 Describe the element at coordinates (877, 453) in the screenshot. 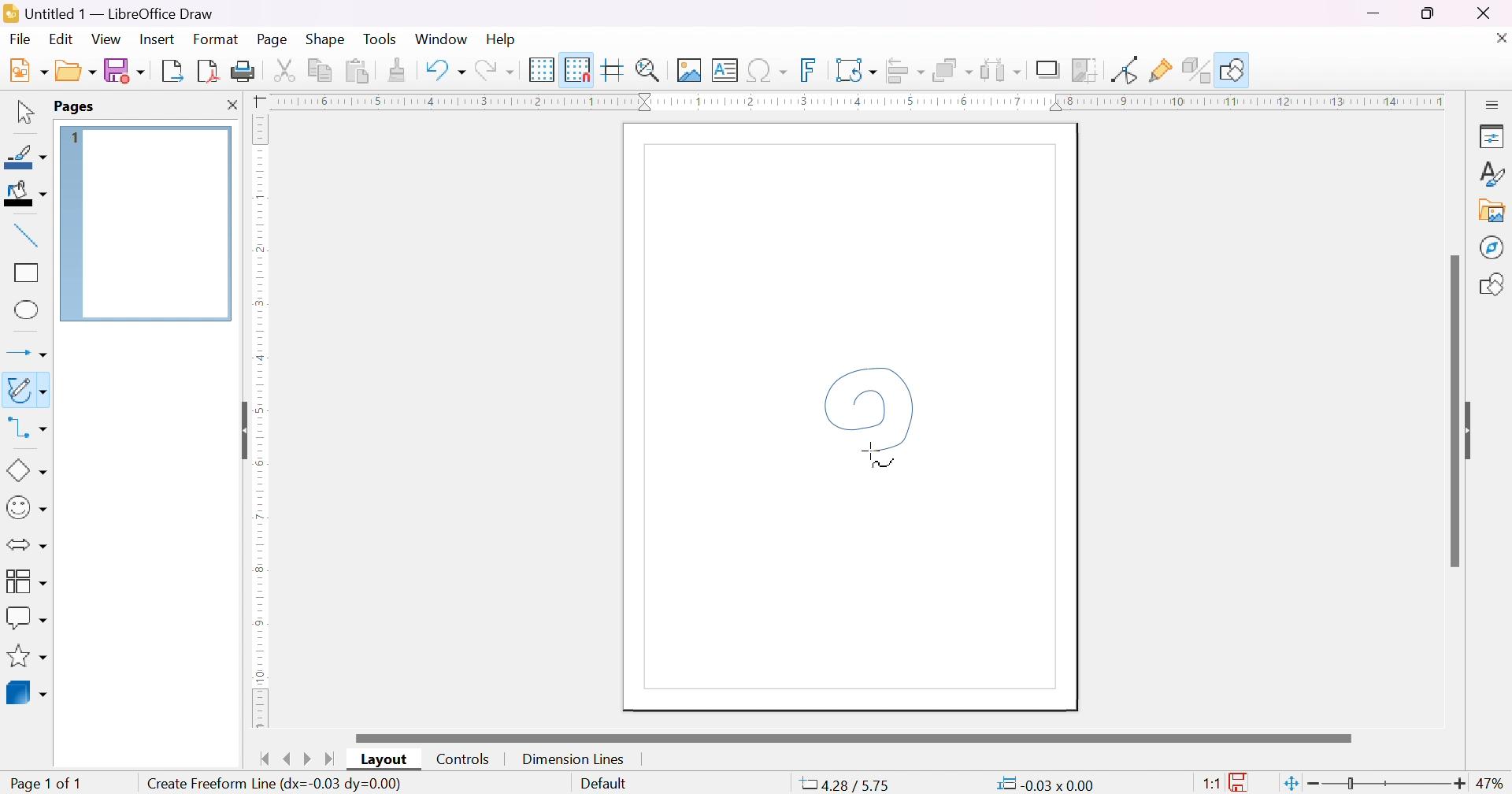

I see `cursor` at that location.